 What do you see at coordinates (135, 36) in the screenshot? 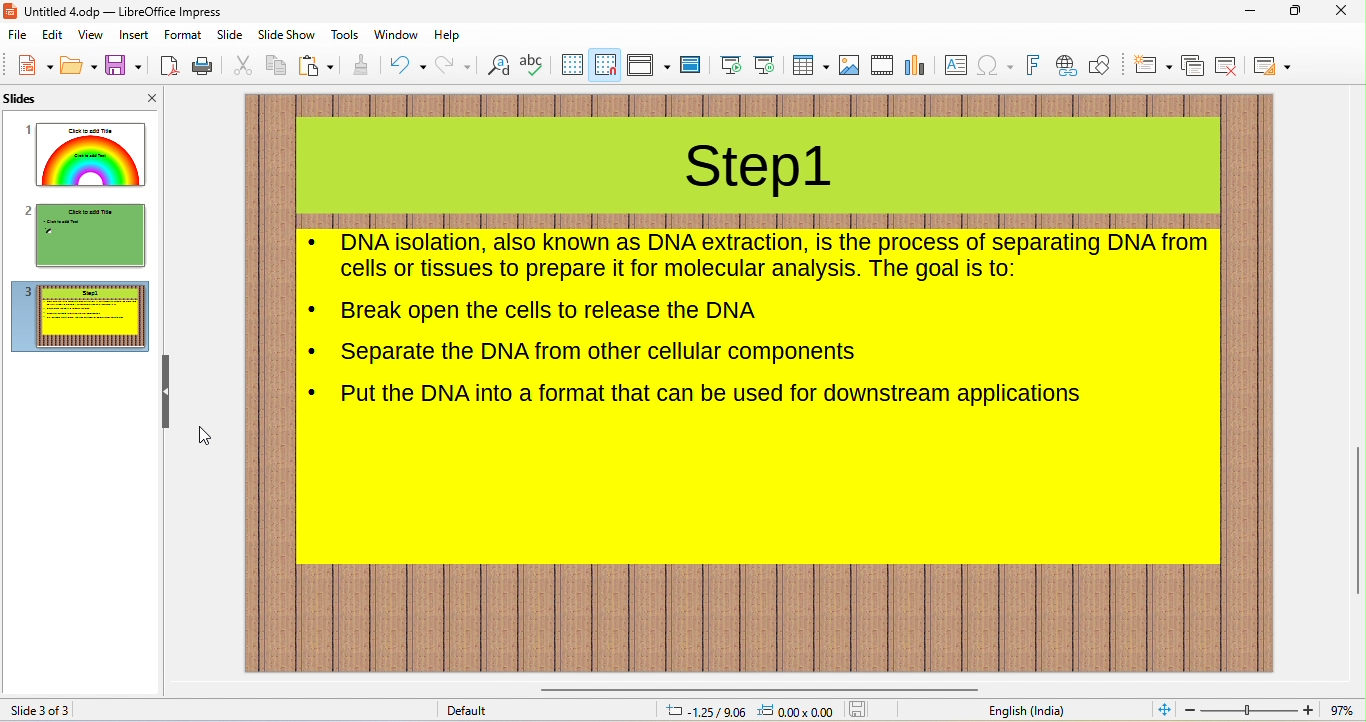
I see `insert` at bounding box center [135, 36].